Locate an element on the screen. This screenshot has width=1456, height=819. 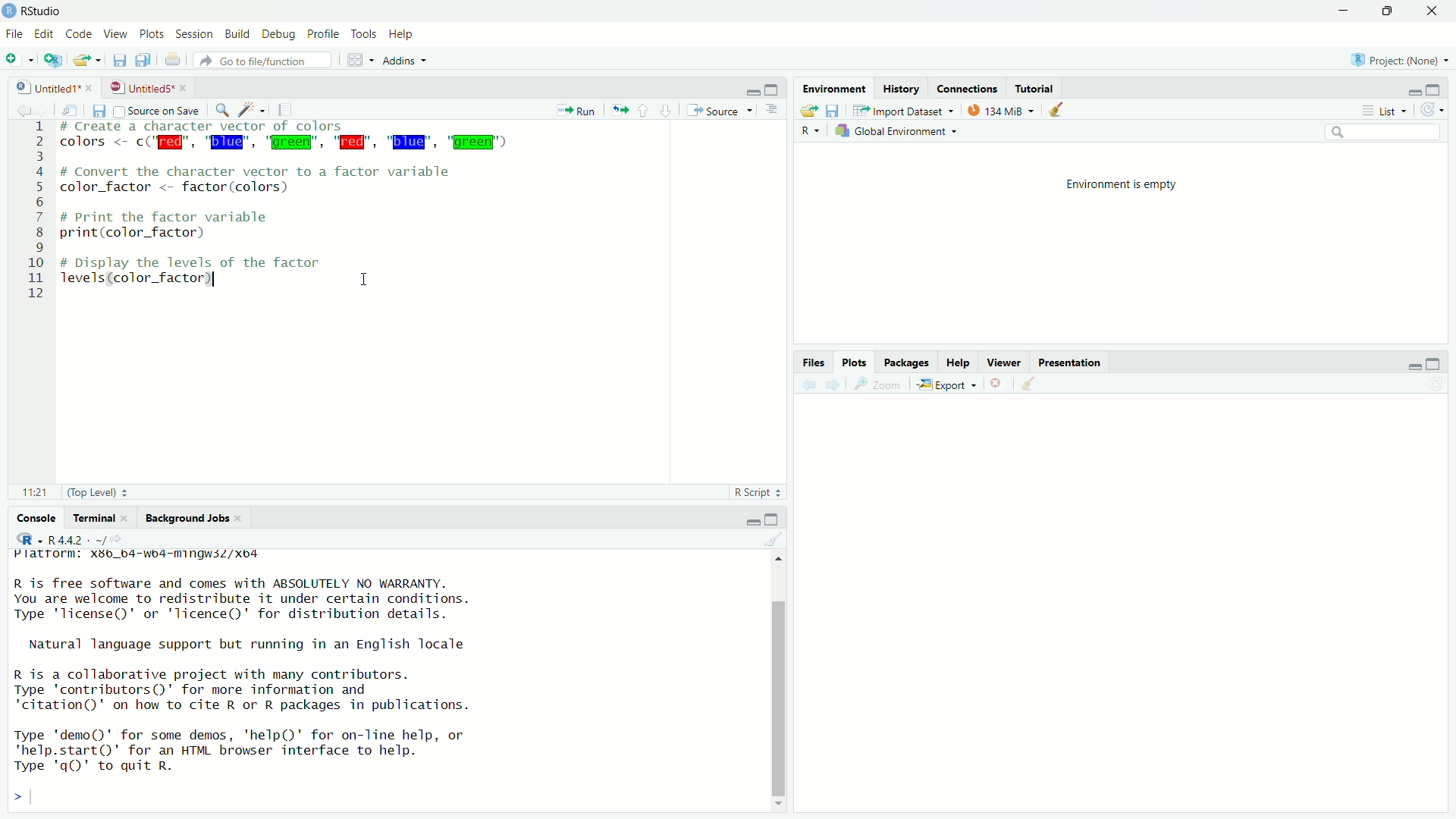
# Print the factor variable
print(color_factor) is located at coordinates (189, 224).